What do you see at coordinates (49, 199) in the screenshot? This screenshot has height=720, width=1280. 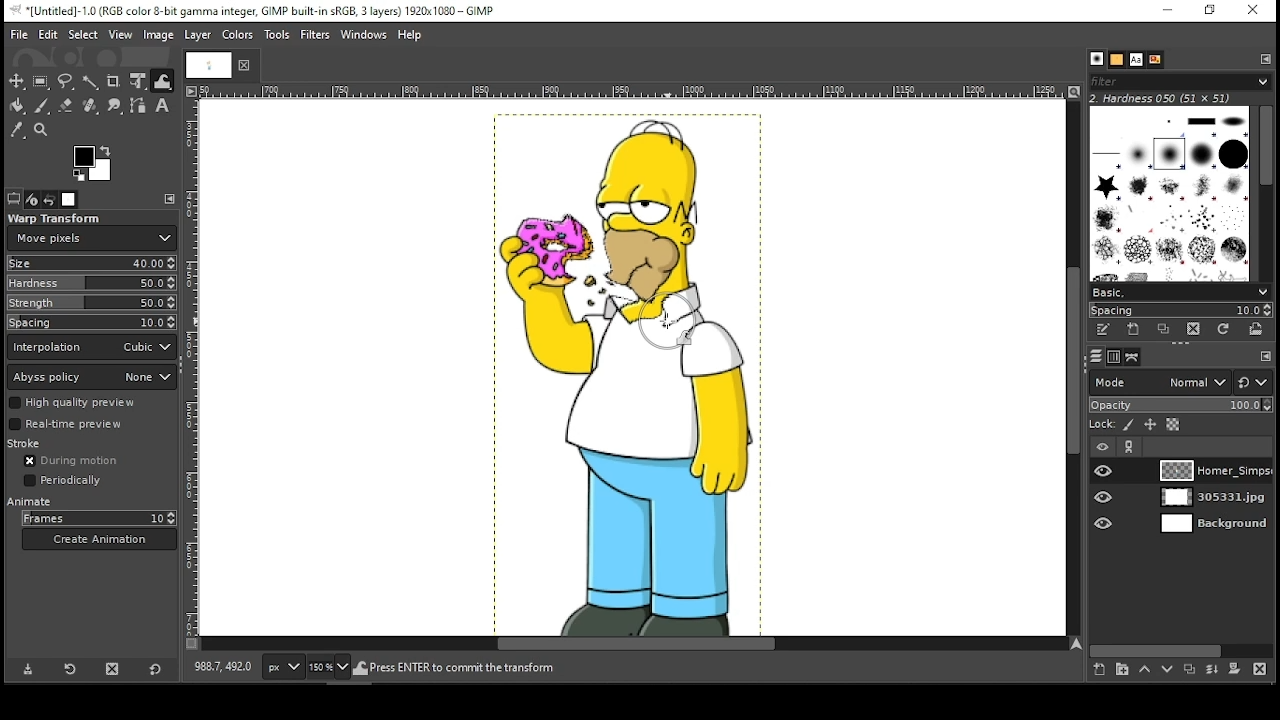 I see `undo history` at bounding box center [49, 199].